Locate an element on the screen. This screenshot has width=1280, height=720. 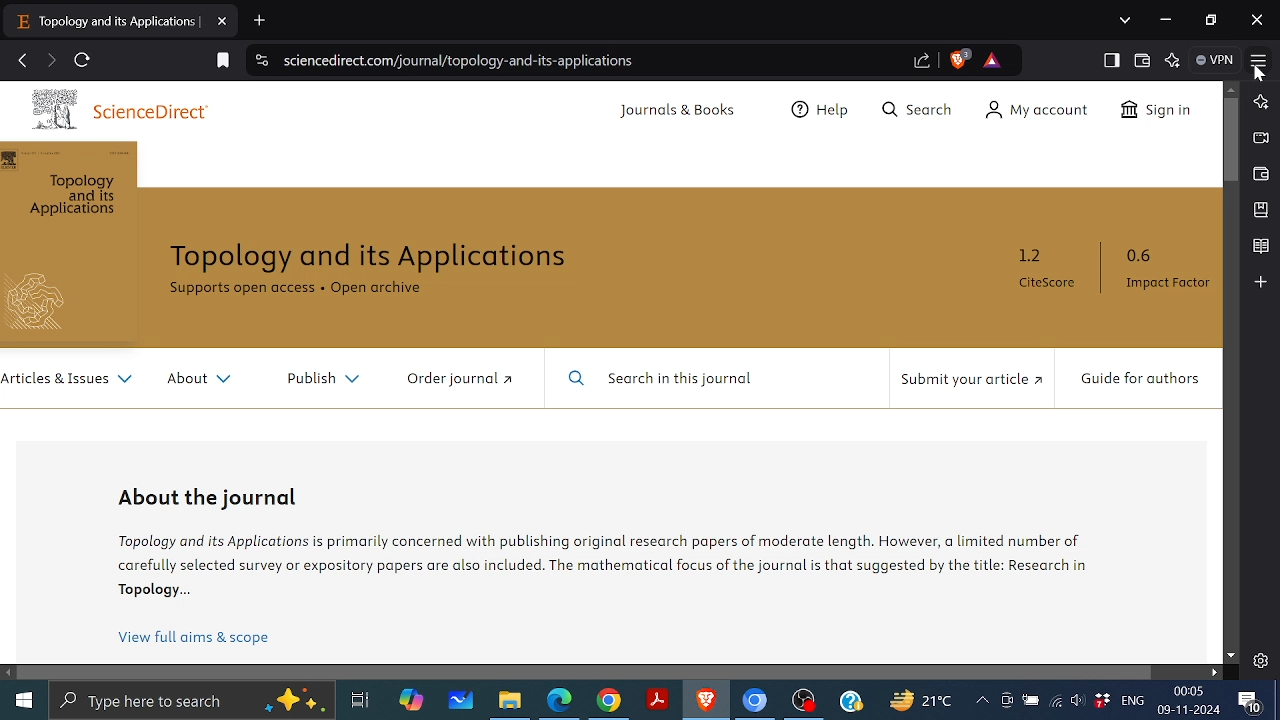
Customize and control barve is located at coordinates (1258, 57).